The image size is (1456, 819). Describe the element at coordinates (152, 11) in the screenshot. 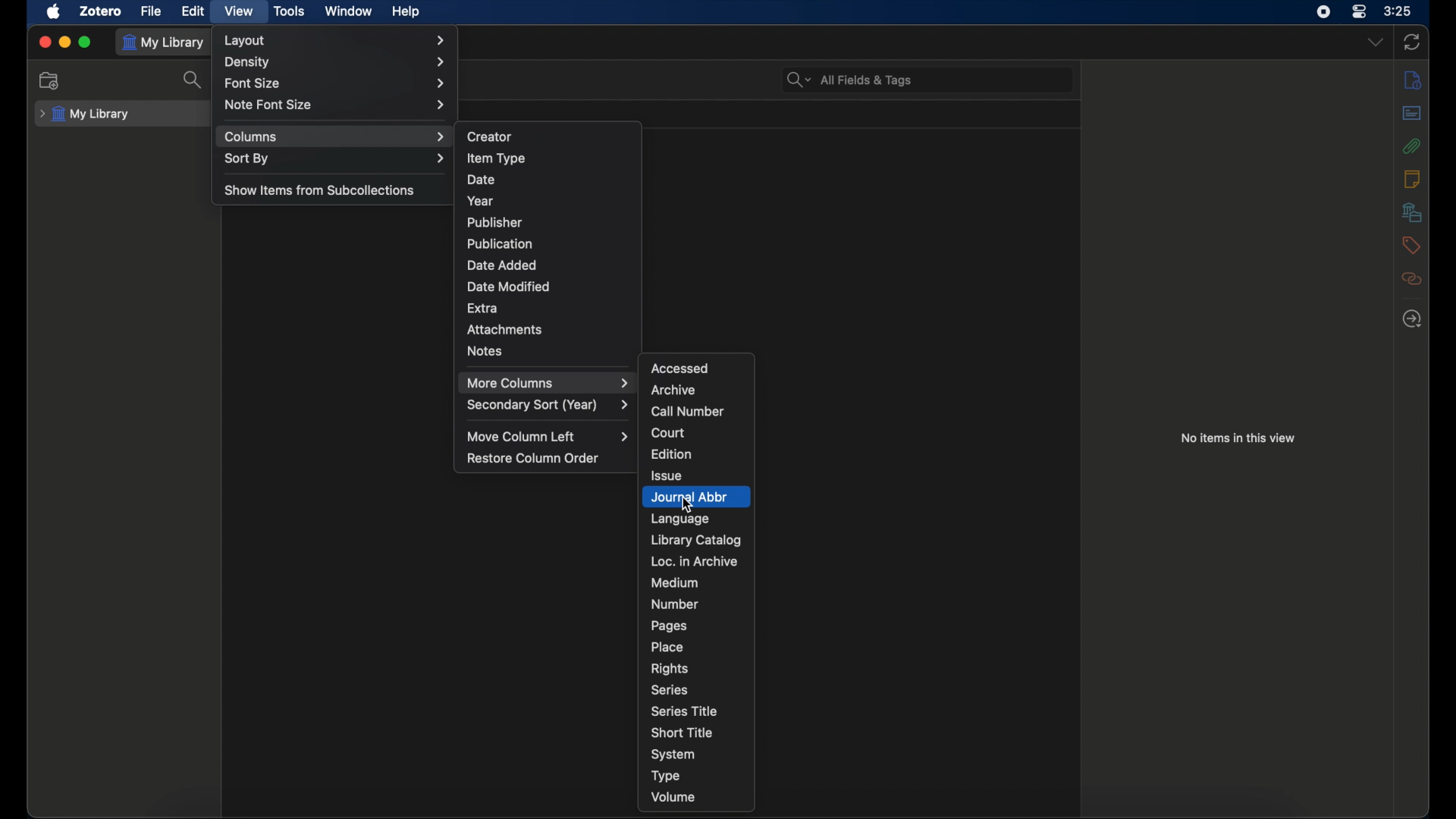

I see `file` at that location.